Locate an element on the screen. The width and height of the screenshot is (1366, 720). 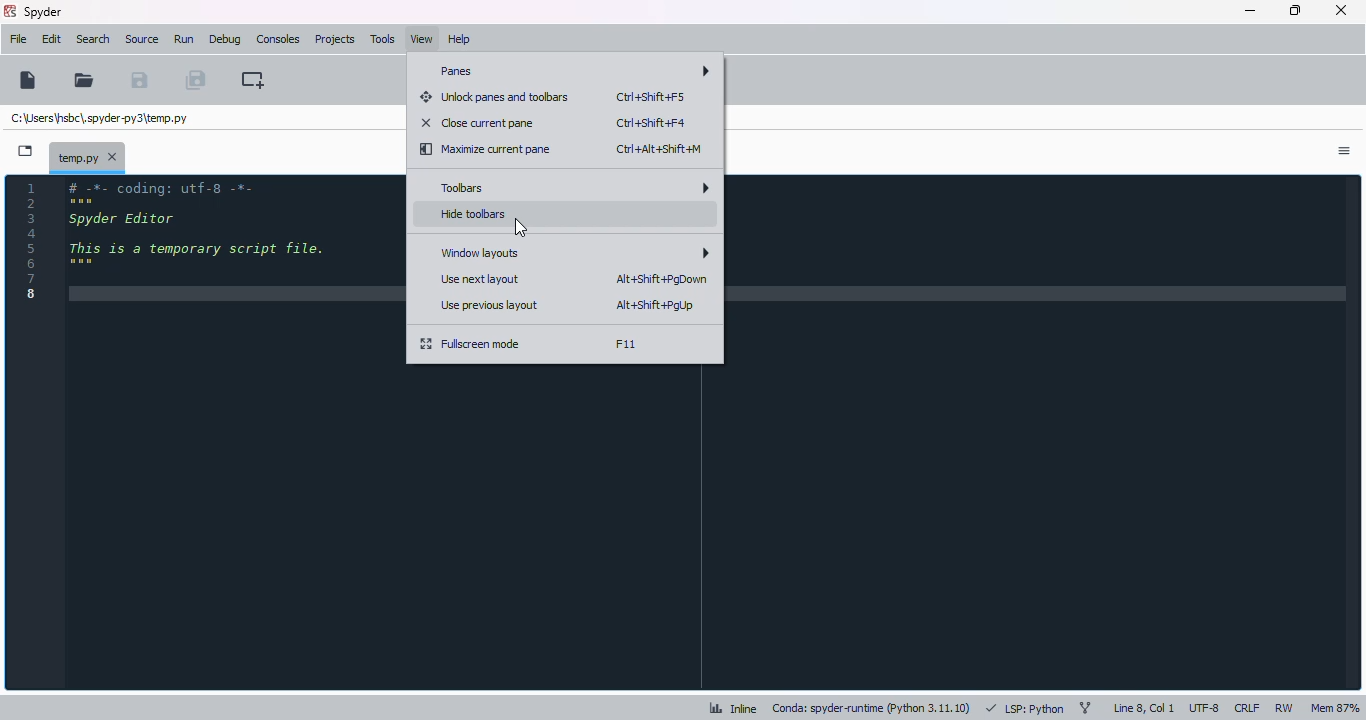
git branch is located at coordinates (1085, 708).